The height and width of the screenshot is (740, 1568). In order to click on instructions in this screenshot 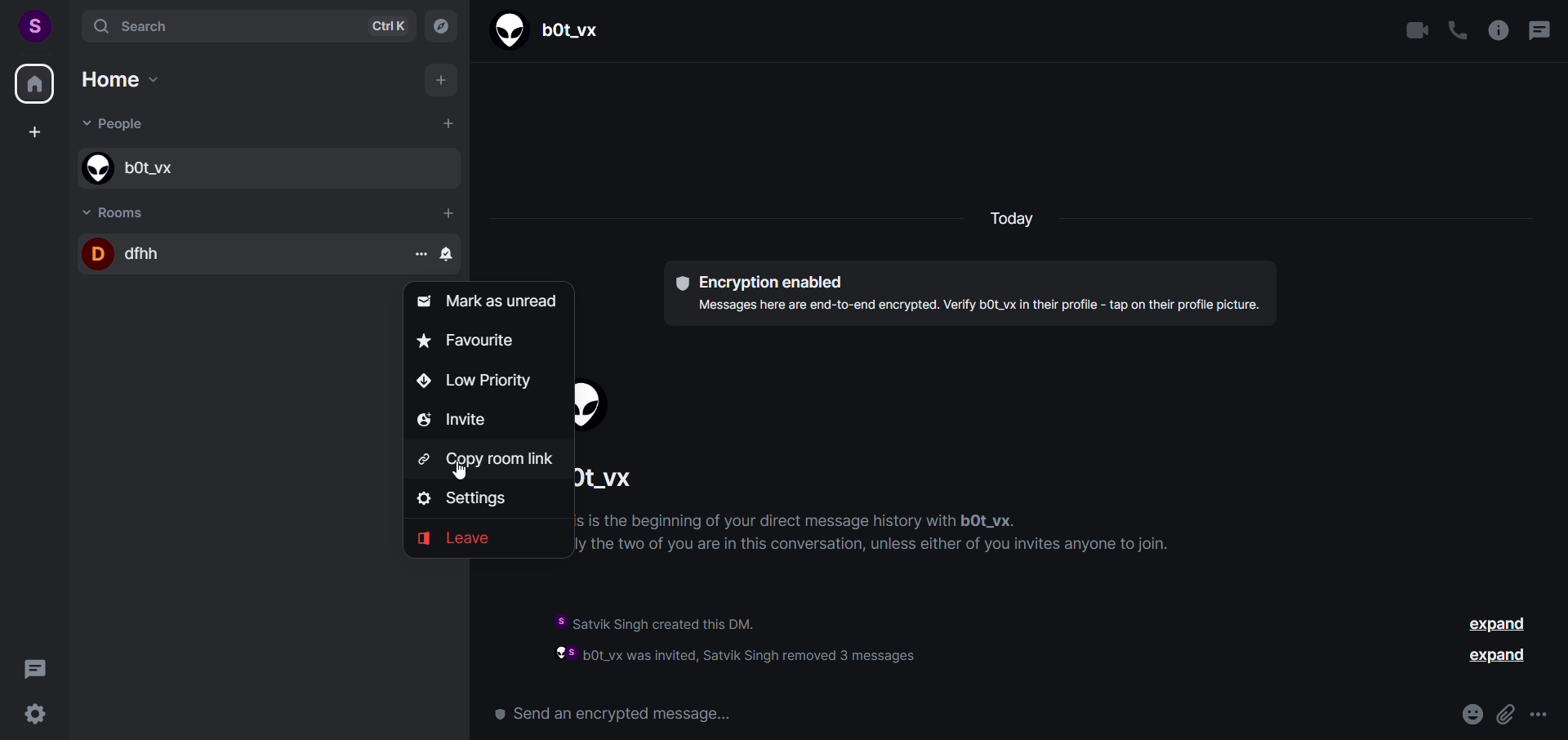, I will do `click(906, 537)`.